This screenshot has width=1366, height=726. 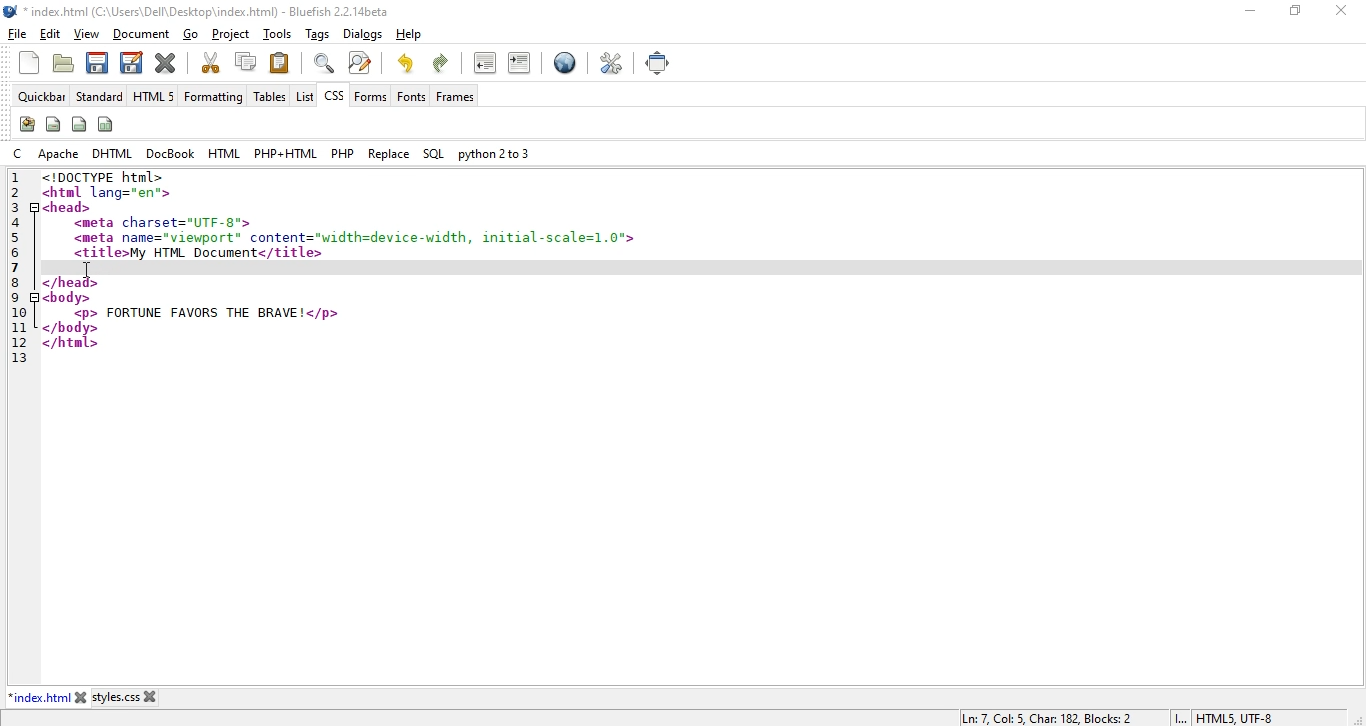 I want to click on show find bar, so click(x=324, y=62).